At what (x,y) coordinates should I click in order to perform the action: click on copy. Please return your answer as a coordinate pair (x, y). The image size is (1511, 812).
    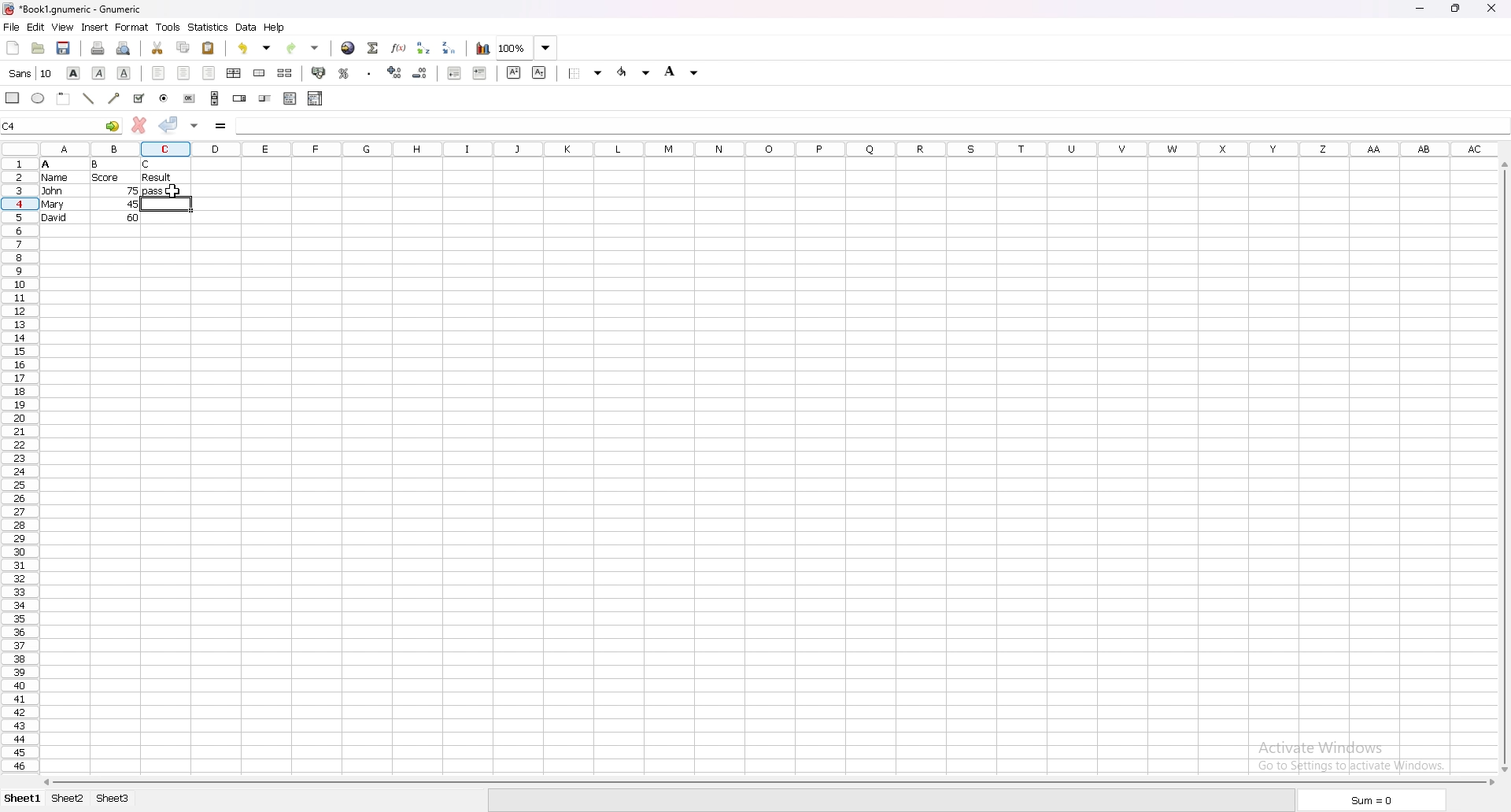
    Looking at the image, I should click on (184, 47).